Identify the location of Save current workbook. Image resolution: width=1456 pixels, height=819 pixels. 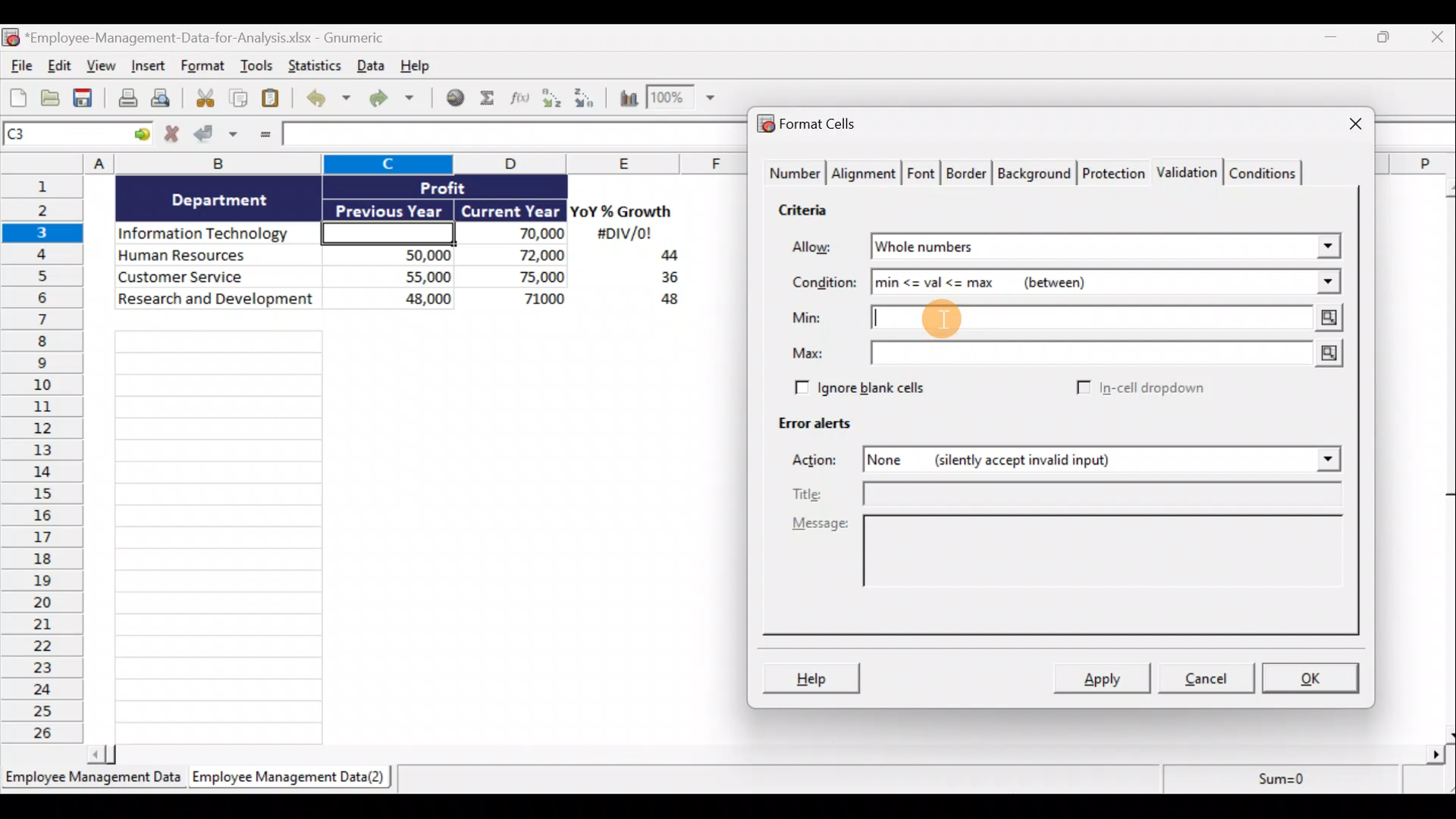
(84, 99).